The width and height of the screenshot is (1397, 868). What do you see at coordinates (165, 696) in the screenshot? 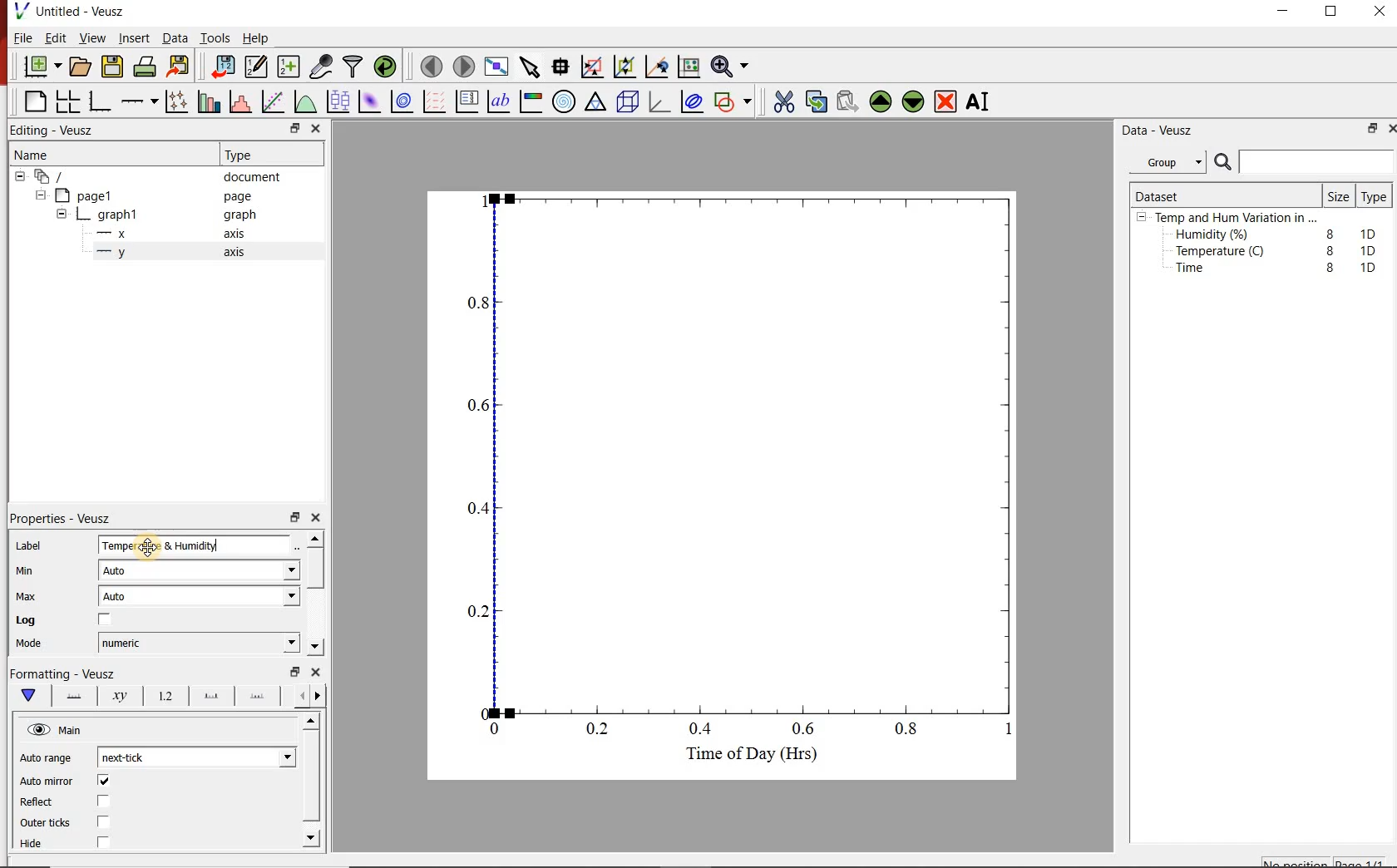
I see `tick labels` at bounding box center [165, 696].